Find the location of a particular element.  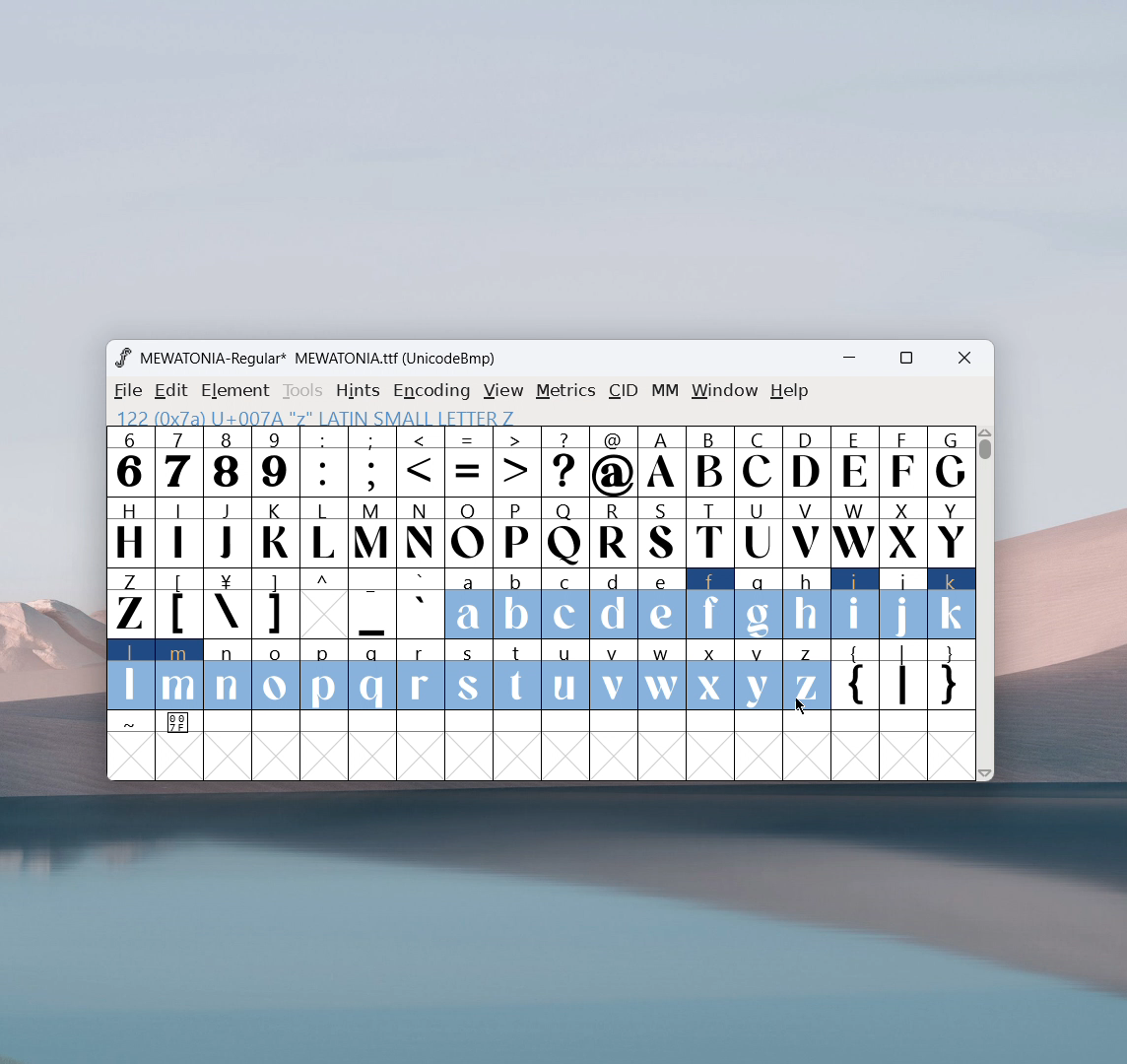

r is located at coordinates (420, 676).